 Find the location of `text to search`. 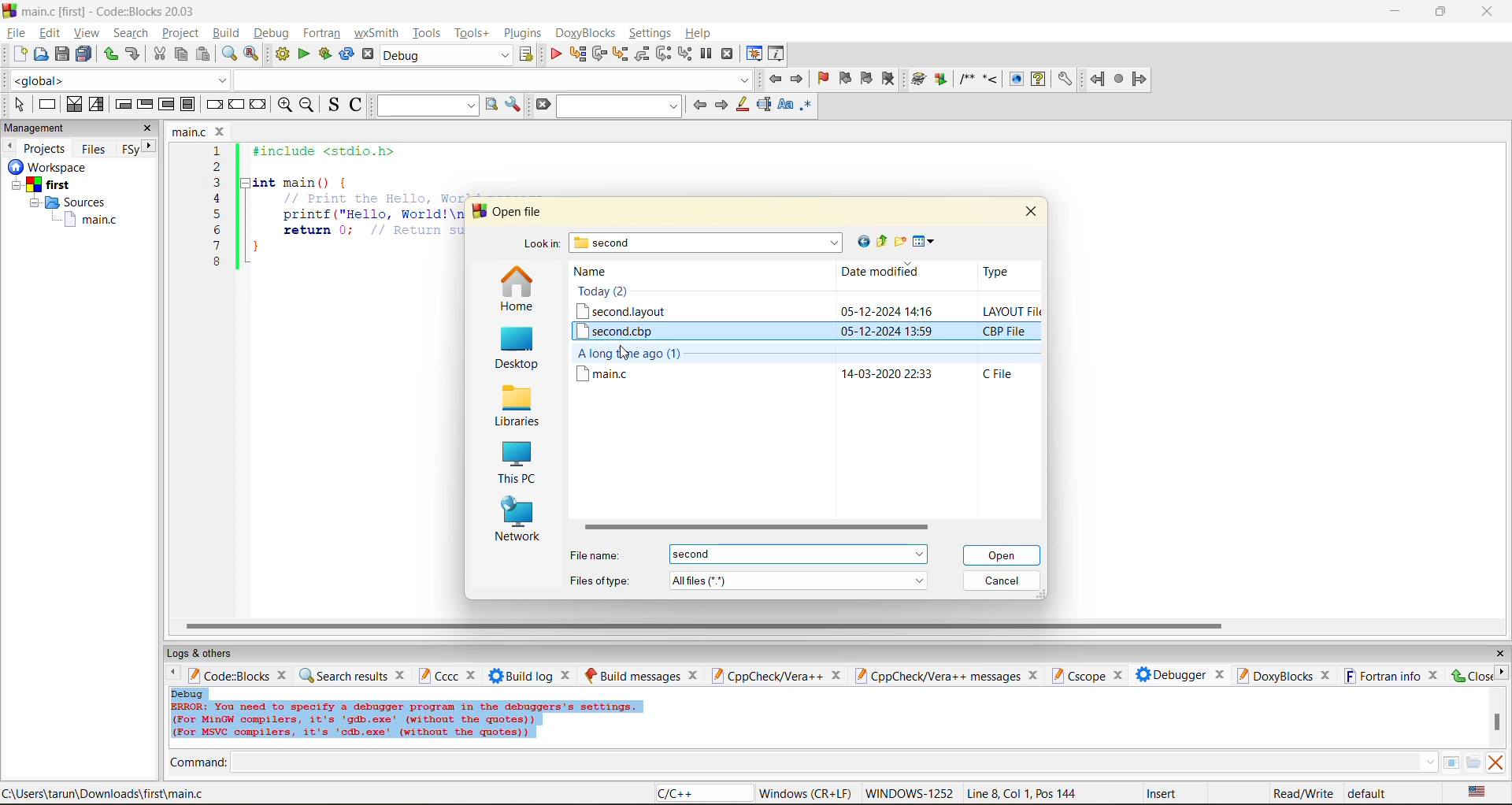

text to search is located at coordinates (424, 105).